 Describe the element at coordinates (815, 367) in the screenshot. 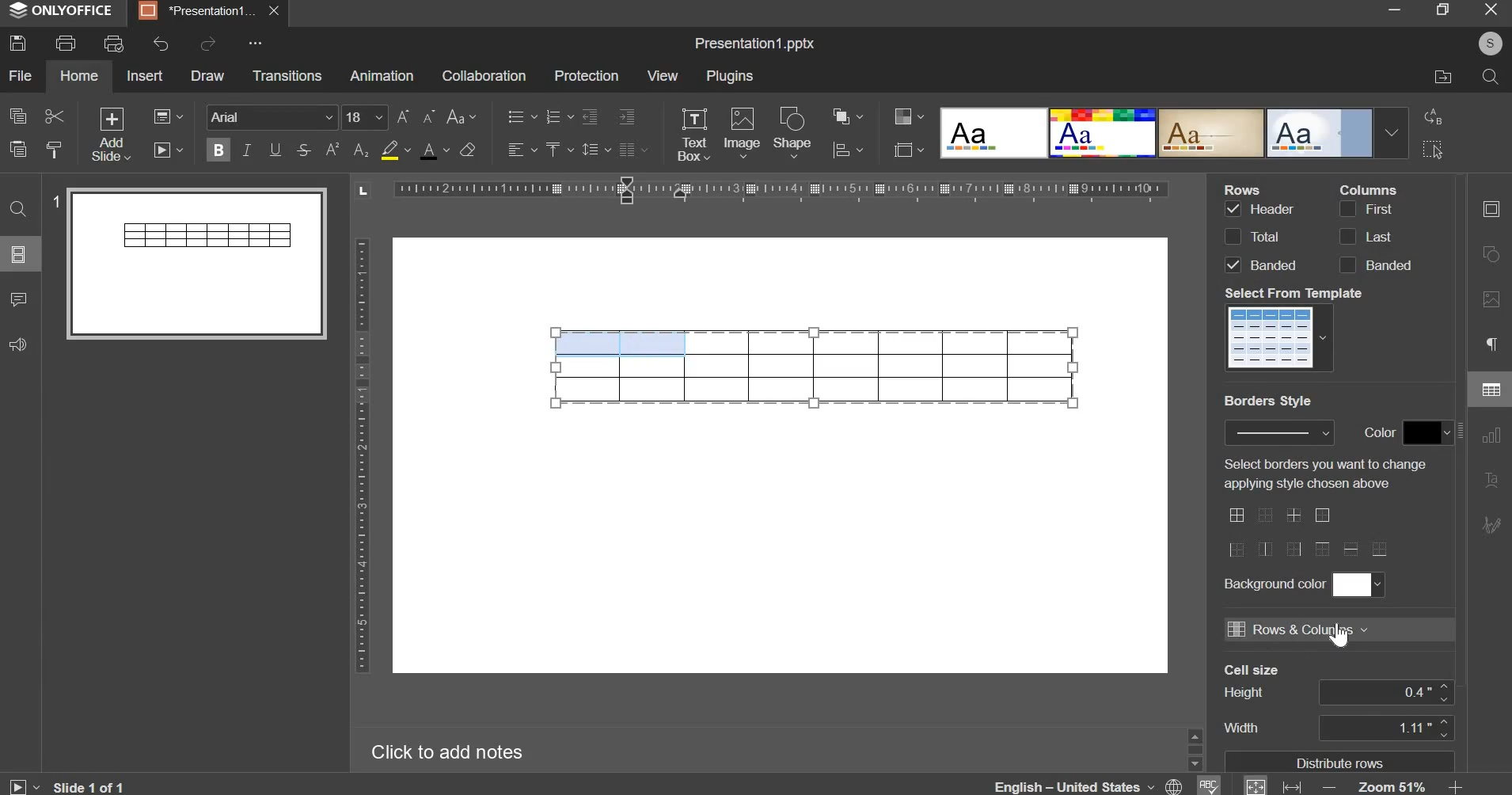

I see `table` at that location.